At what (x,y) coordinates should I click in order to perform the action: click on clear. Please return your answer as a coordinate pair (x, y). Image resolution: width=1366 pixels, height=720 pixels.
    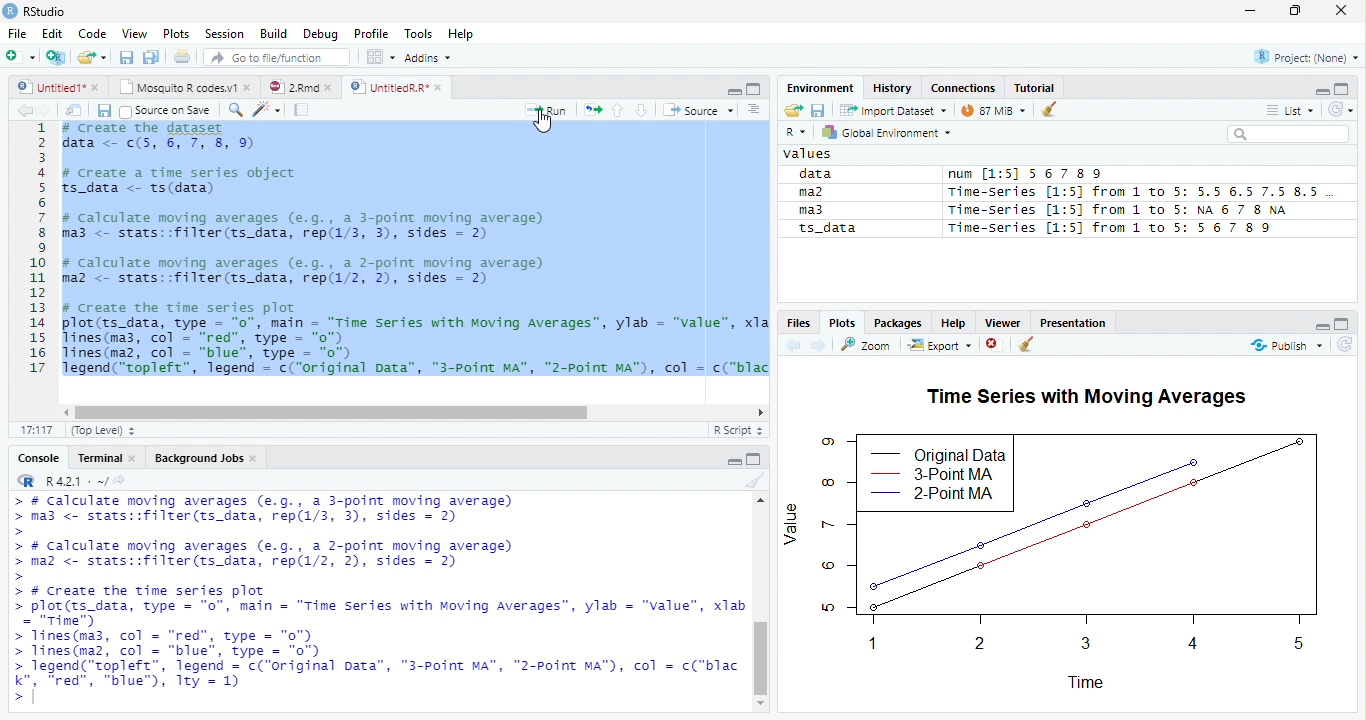
    Looking at the image, I should click on (1049, 108).